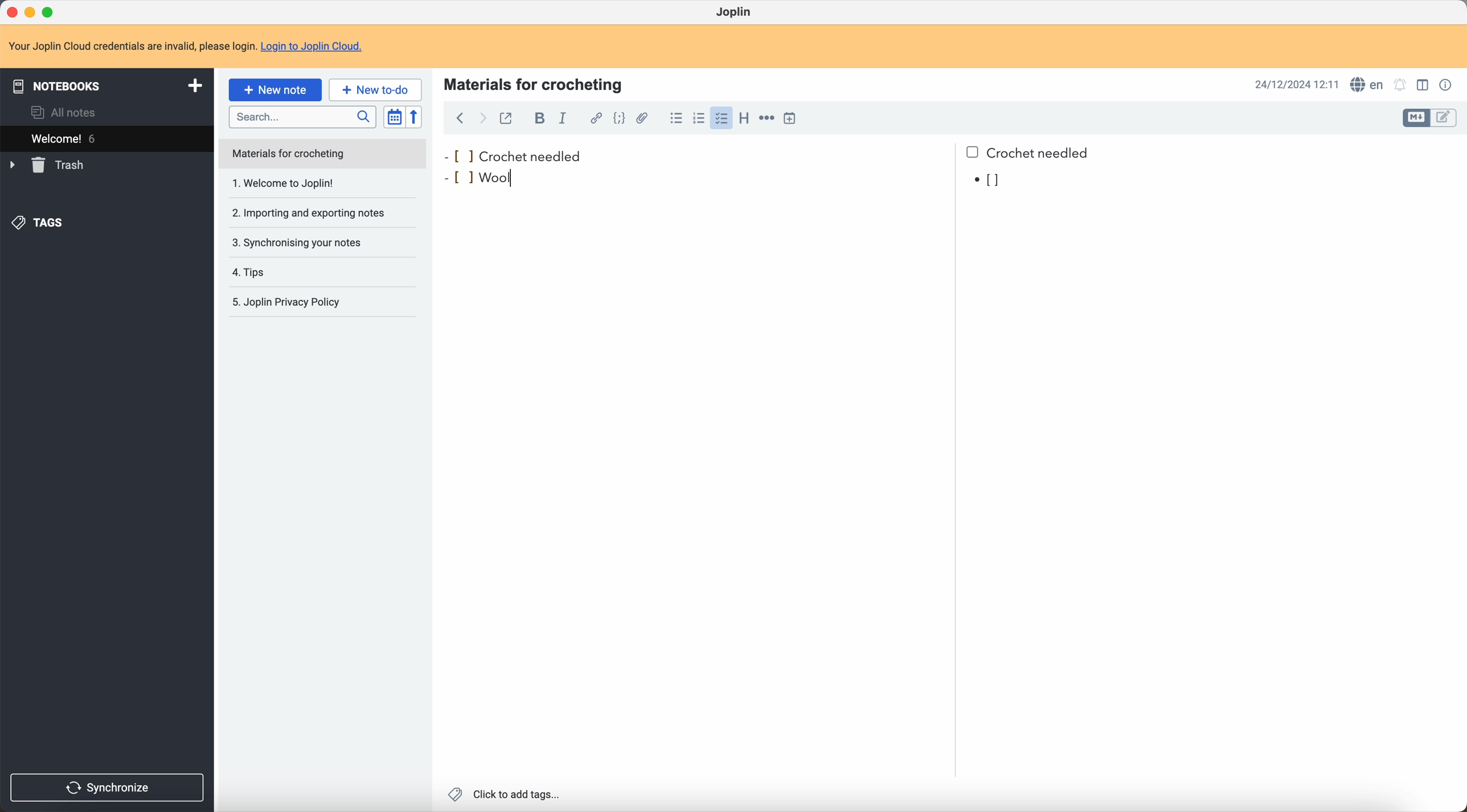 Image resolution: width=1467 pixels, height=812 pixels. What do you see at coordinates (323, 154) in the screenshot?
I see `note` at bounding box center [323, 154].